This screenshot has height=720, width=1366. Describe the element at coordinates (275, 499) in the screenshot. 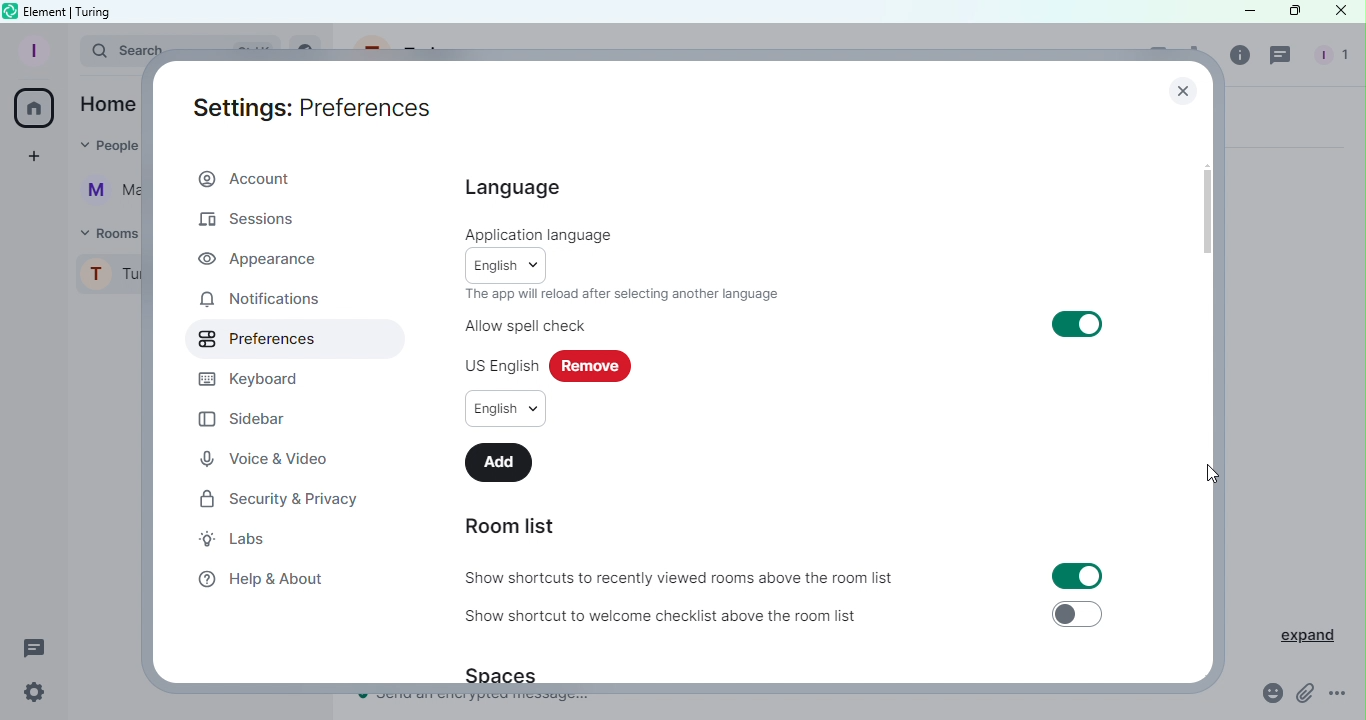

I see `Security and privacy` at that location.